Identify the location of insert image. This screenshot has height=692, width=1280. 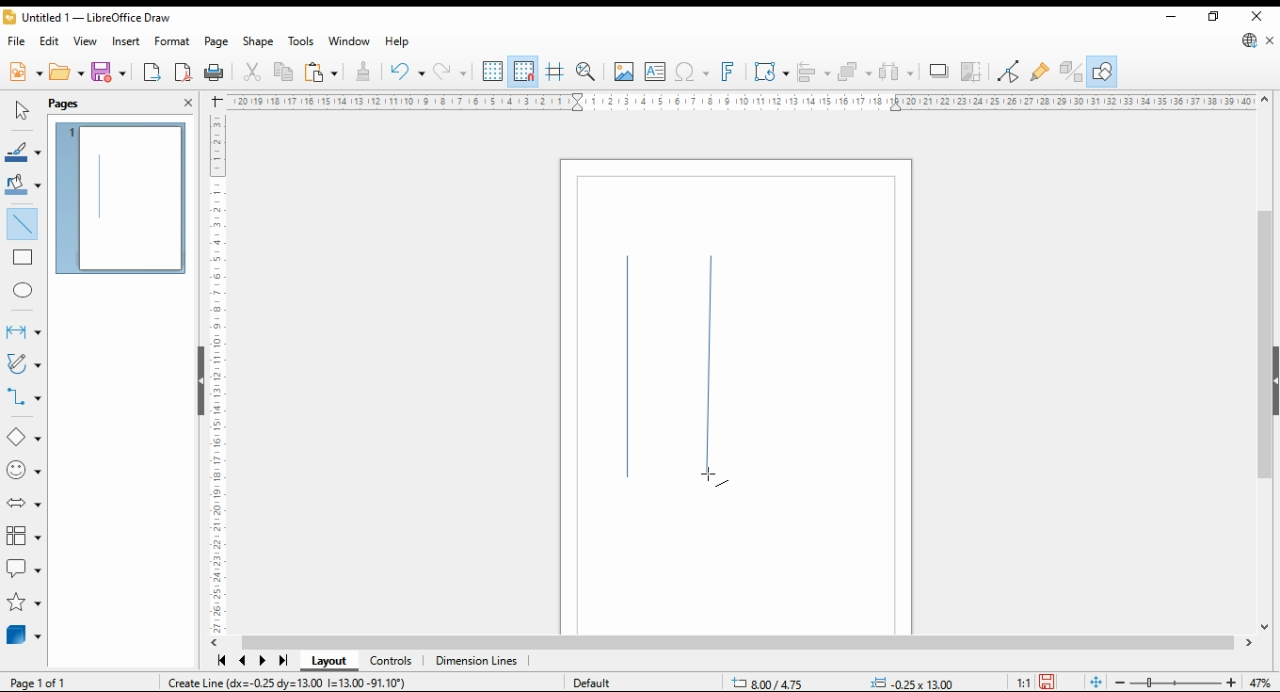
(624, 71).